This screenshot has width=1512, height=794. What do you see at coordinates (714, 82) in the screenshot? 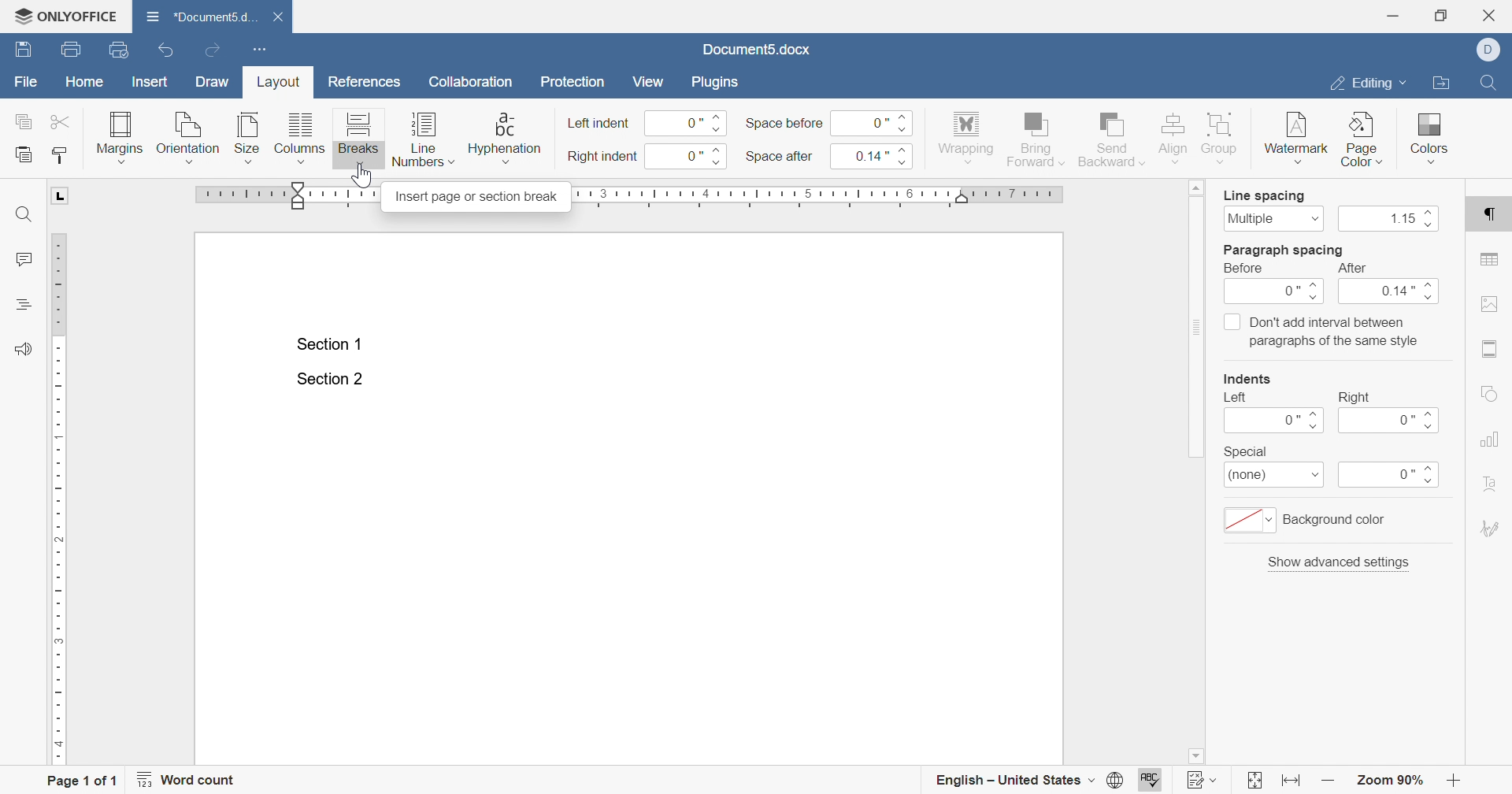
I see `plugins` at bounding box center [714, 82].